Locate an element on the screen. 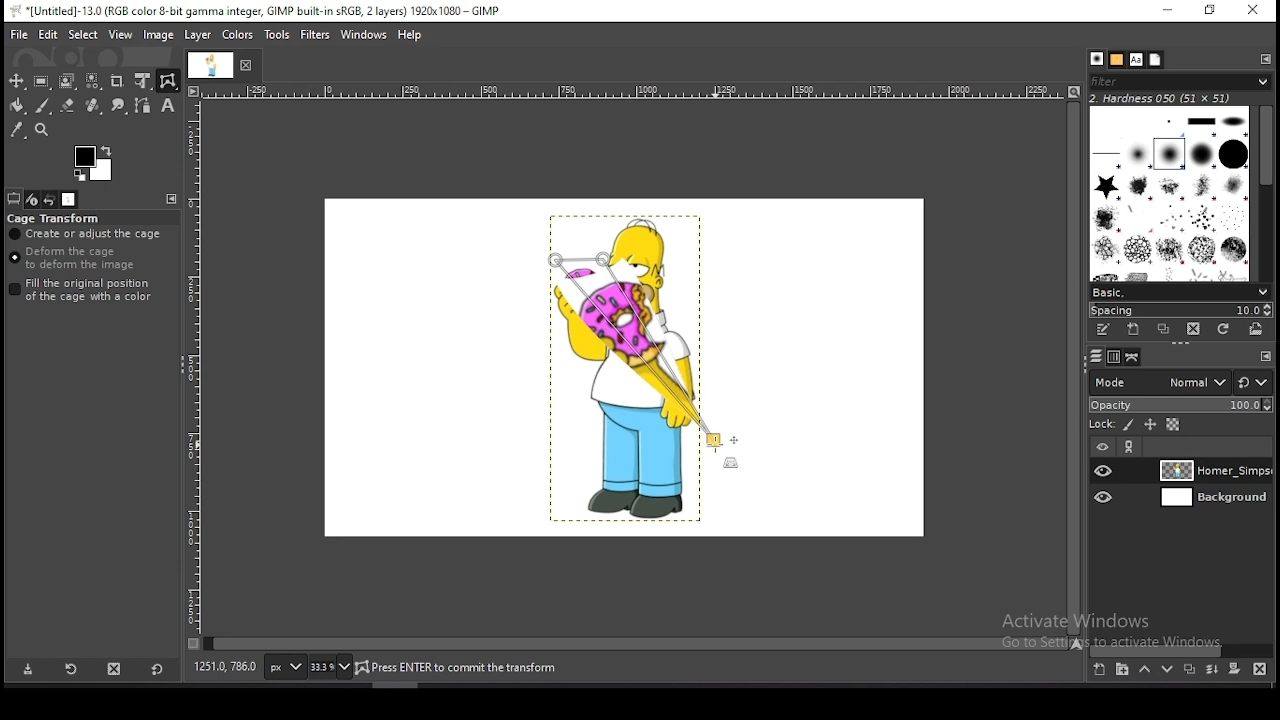 The image size is (1280, 720). paths tool is located at coordinates (142, 105).